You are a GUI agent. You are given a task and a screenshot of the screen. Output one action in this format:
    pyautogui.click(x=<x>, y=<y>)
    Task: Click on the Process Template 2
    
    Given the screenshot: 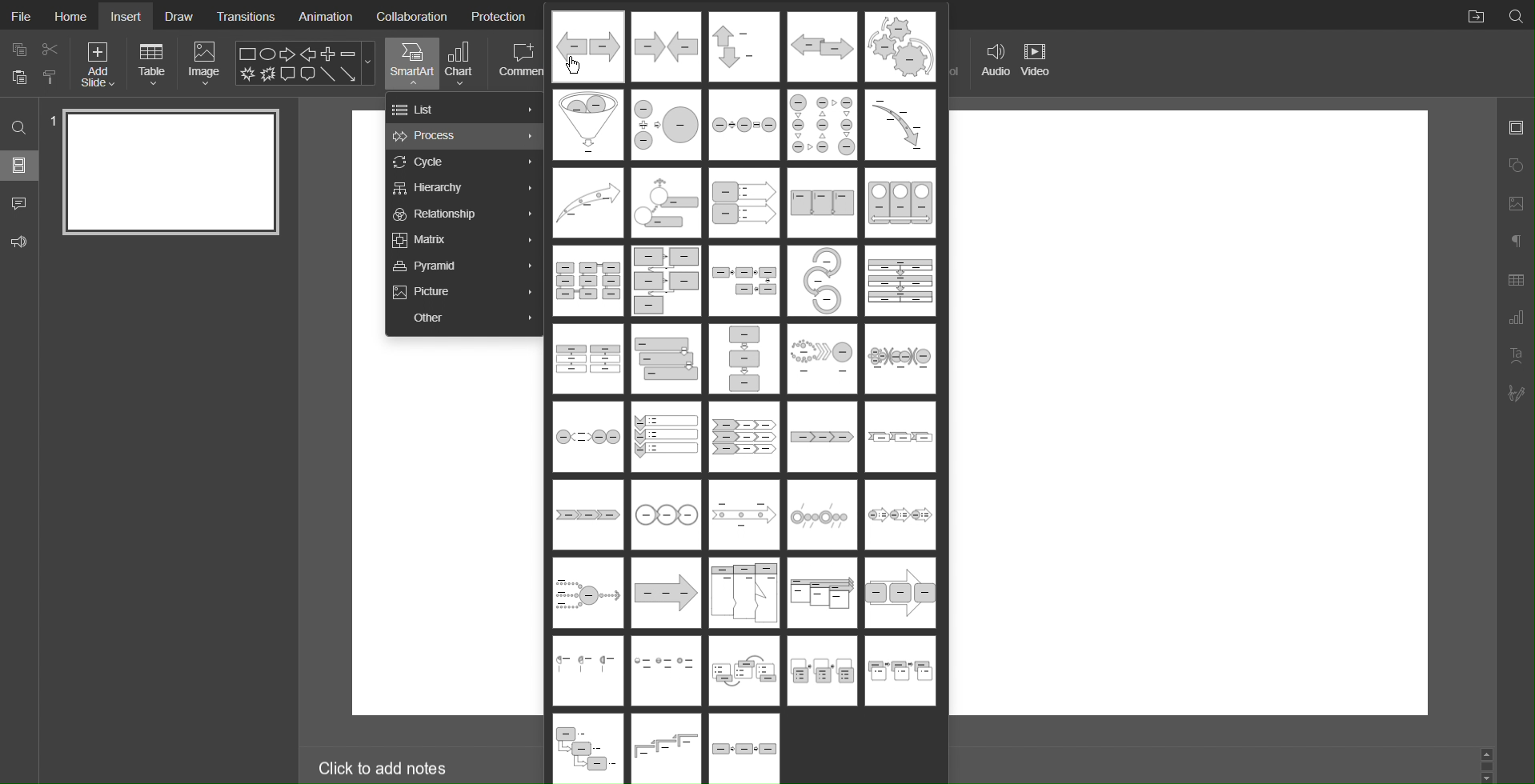 What is the action you would take?
    pyautogui.click(x=663, y=46)
    